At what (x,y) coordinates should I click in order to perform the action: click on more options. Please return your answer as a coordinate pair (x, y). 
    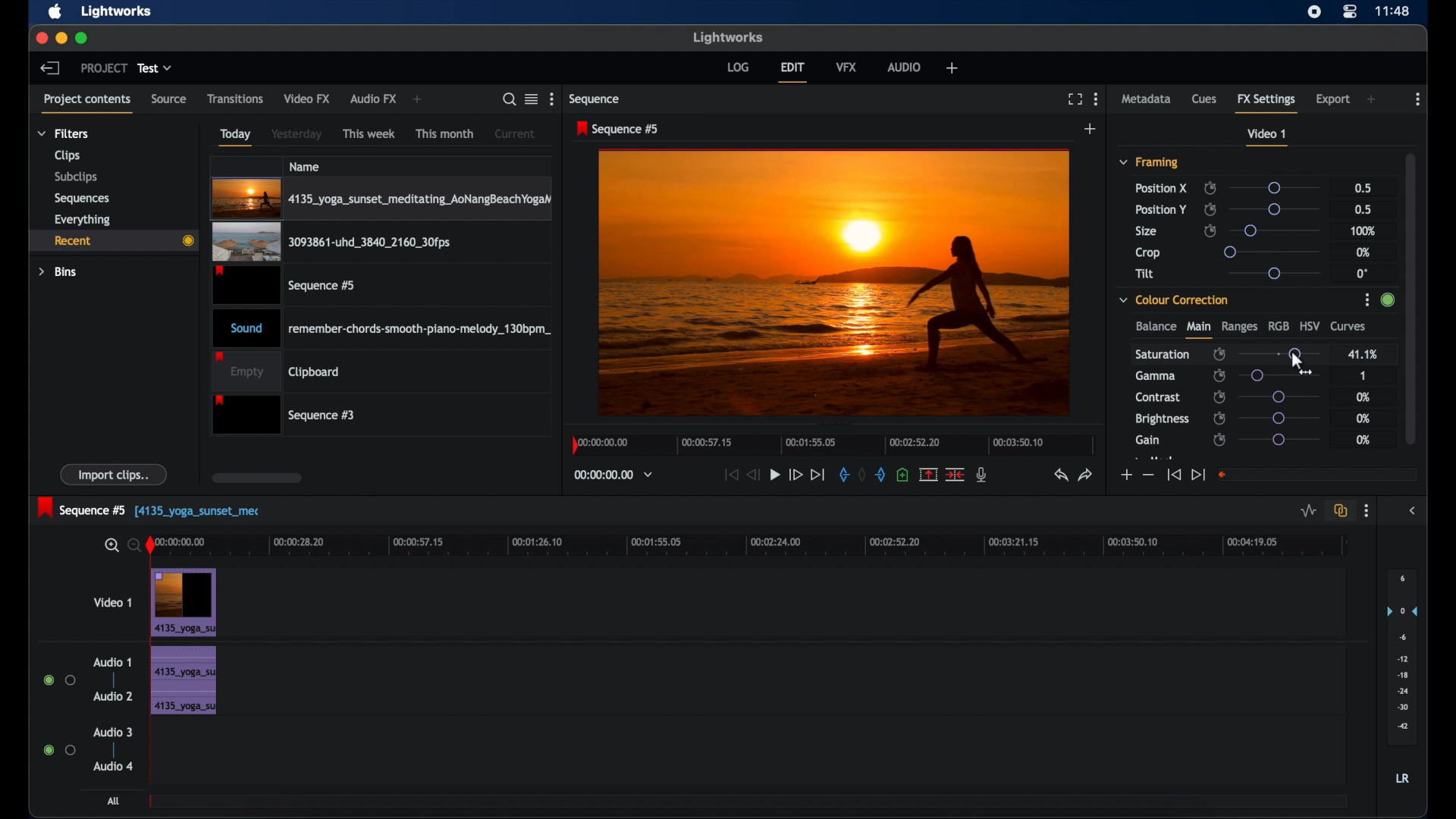
    Looking at the image, I should click on (1096, 99).